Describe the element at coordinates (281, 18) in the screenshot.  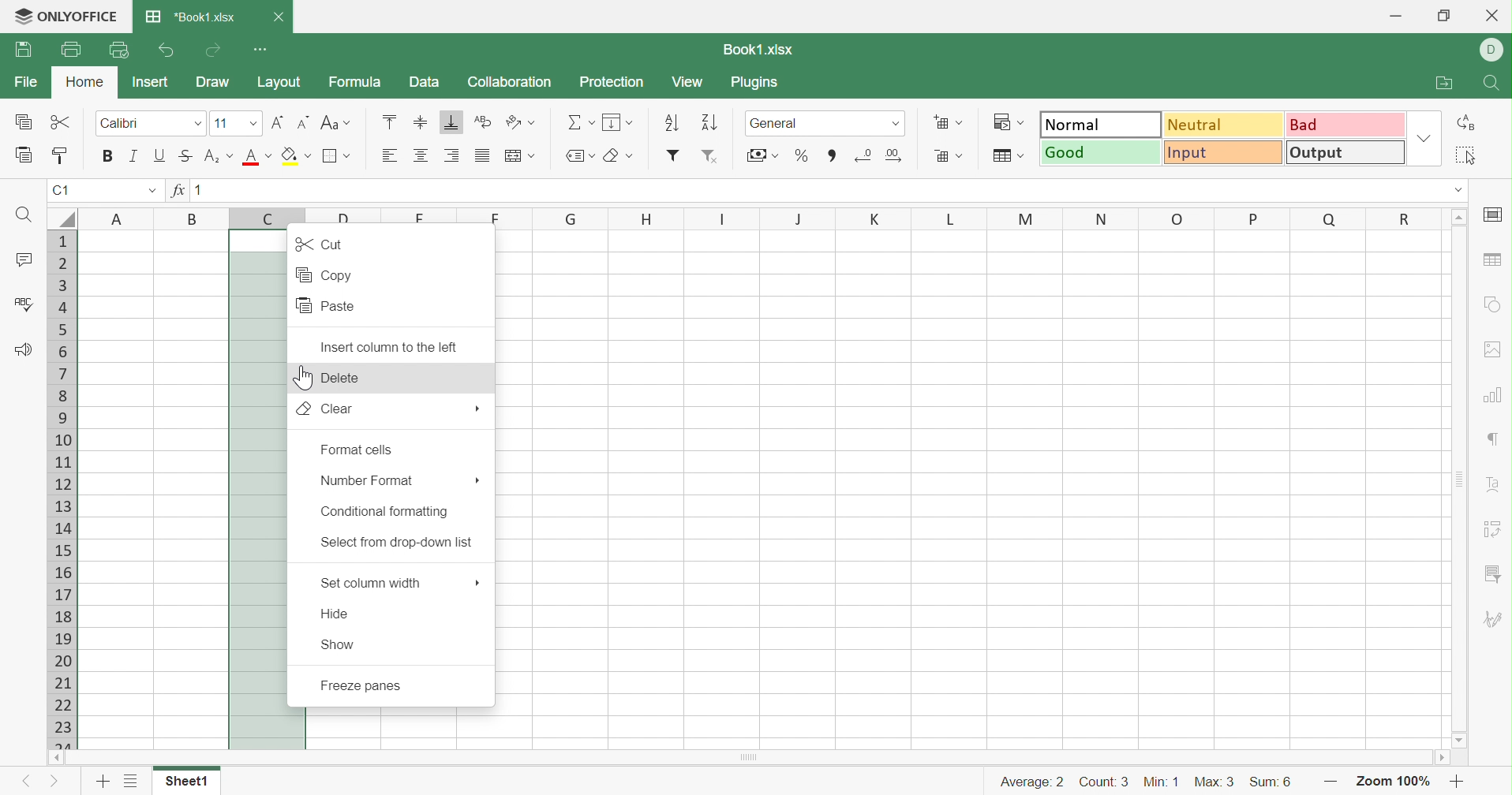
I see `Close` at that location.